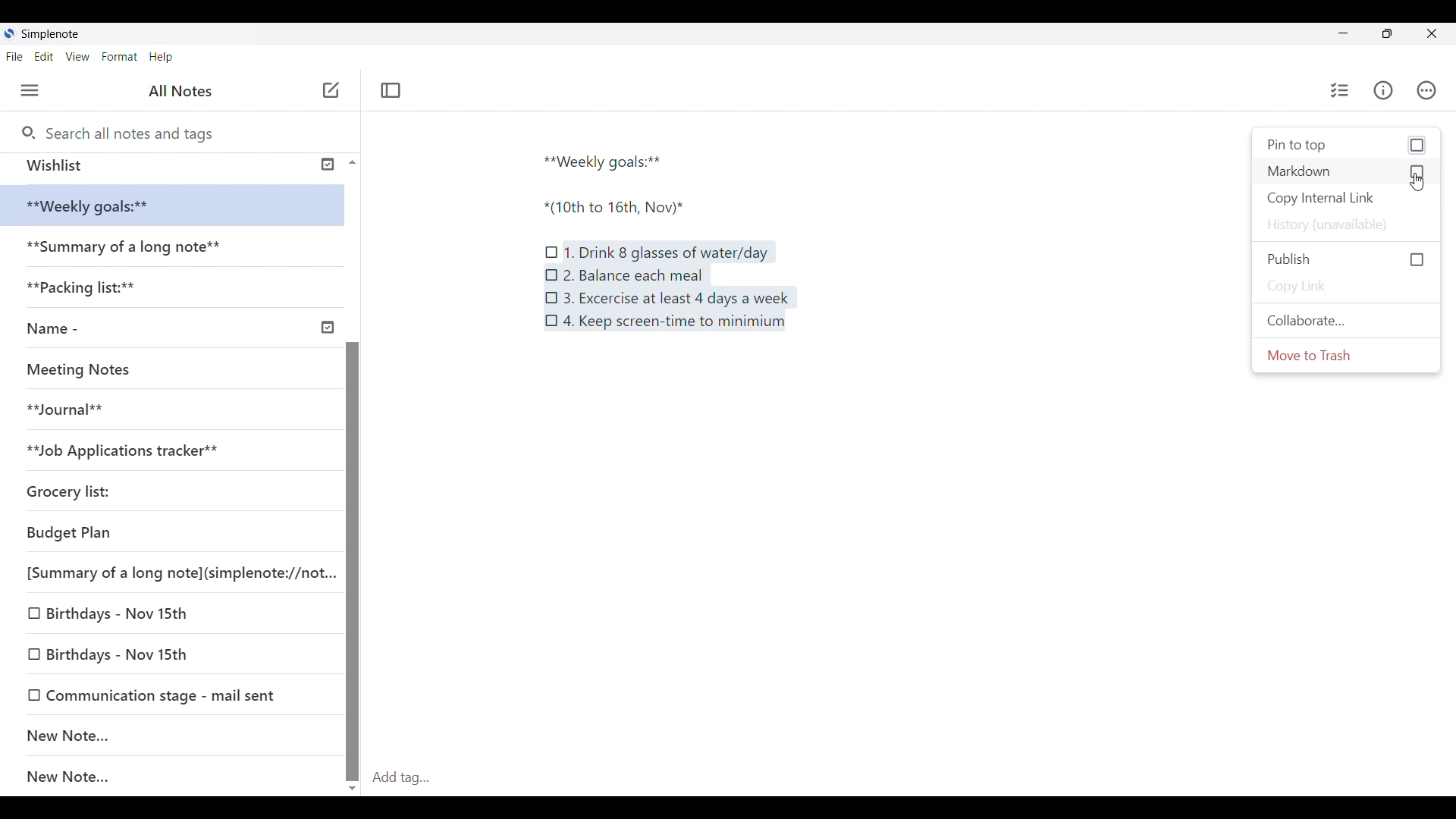 The image size is (1456, 819). Describe the element at coordinates (17, 56) in the screenshot. I see `File` at that location.